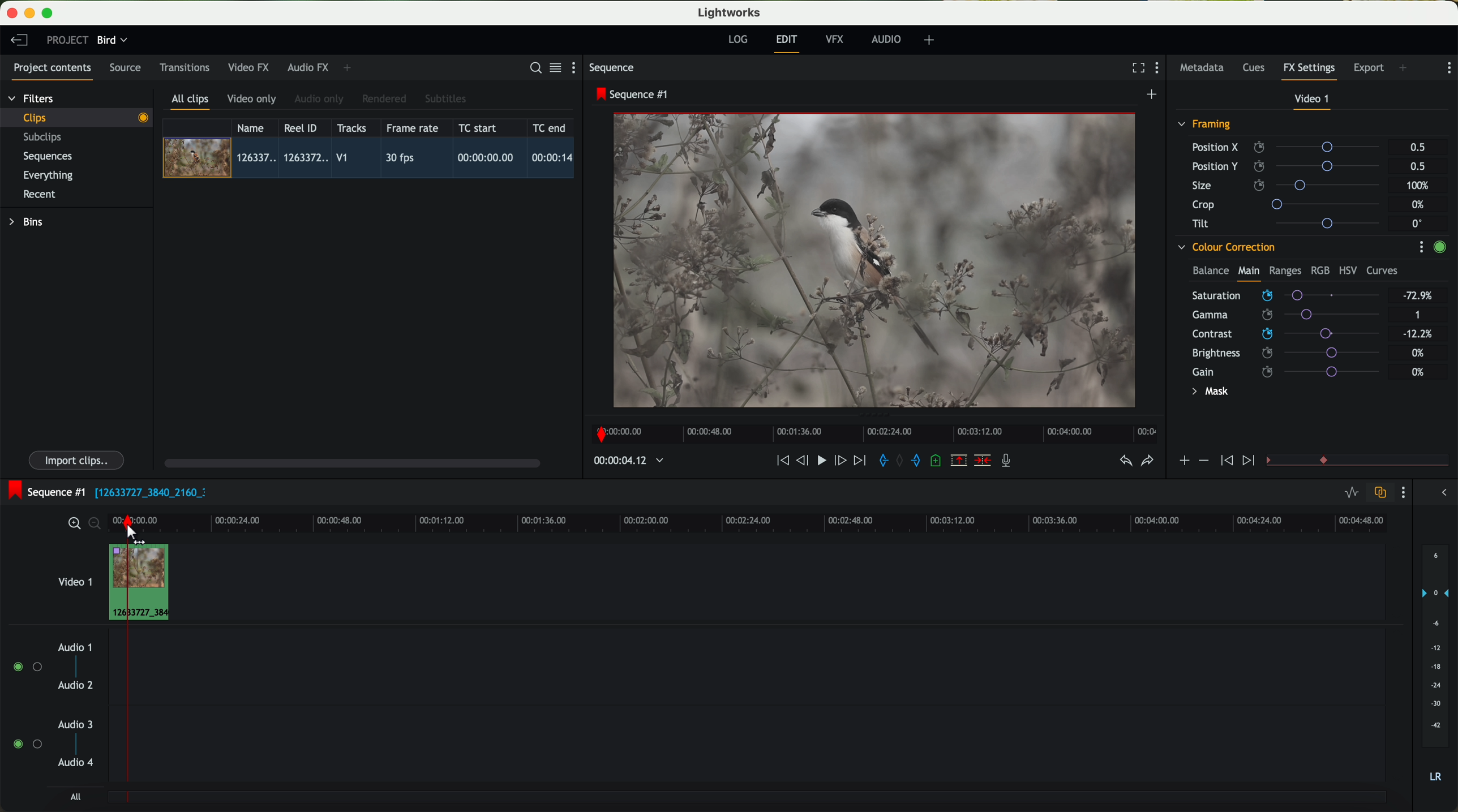 Image resolution: width=1458 pixels, height=812 pixels. Describe the element at coordinates (49, 175) in the screenshot. I see `everything` at that location.